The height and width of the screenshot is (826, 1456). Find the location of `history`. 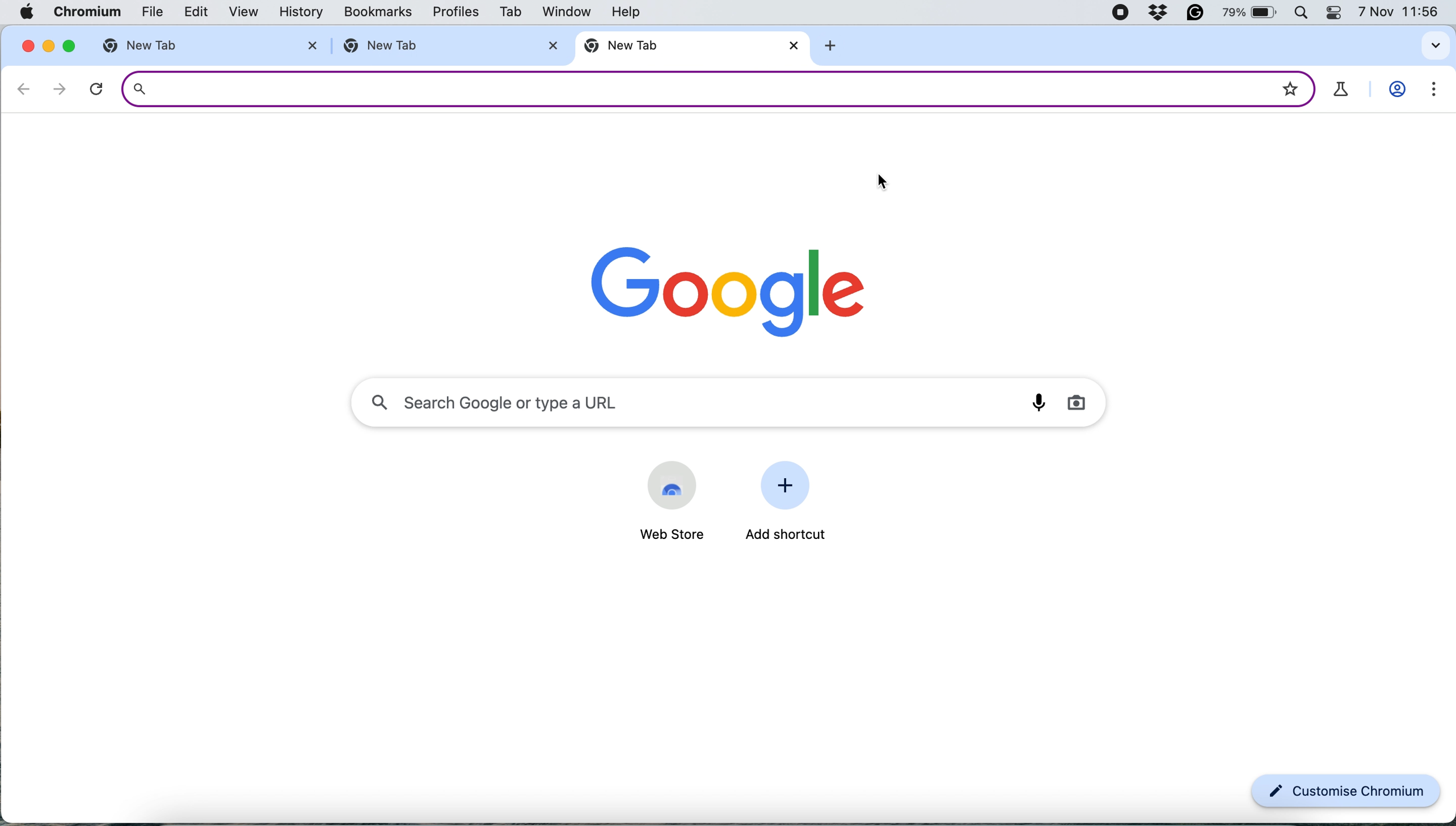

history is located at coordinates (305, 11).